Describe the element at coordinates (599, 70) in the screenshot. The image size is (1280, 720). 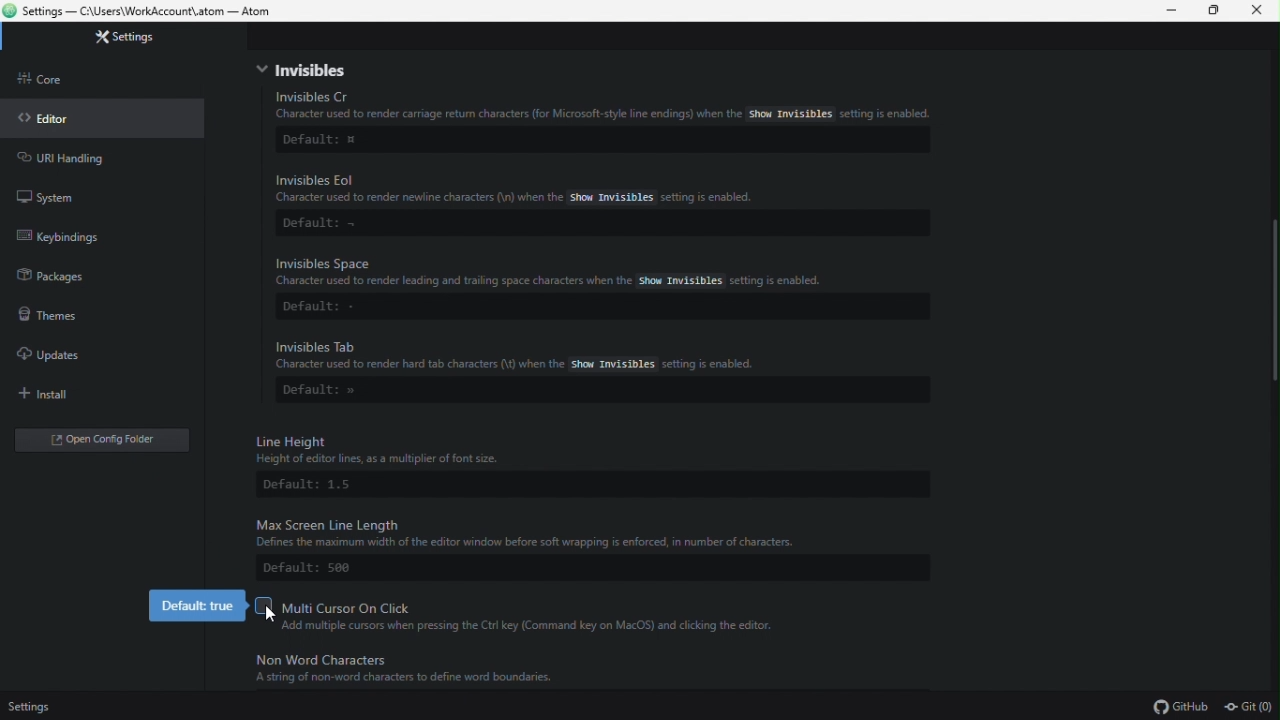
I see `Invisibles ` at that location.